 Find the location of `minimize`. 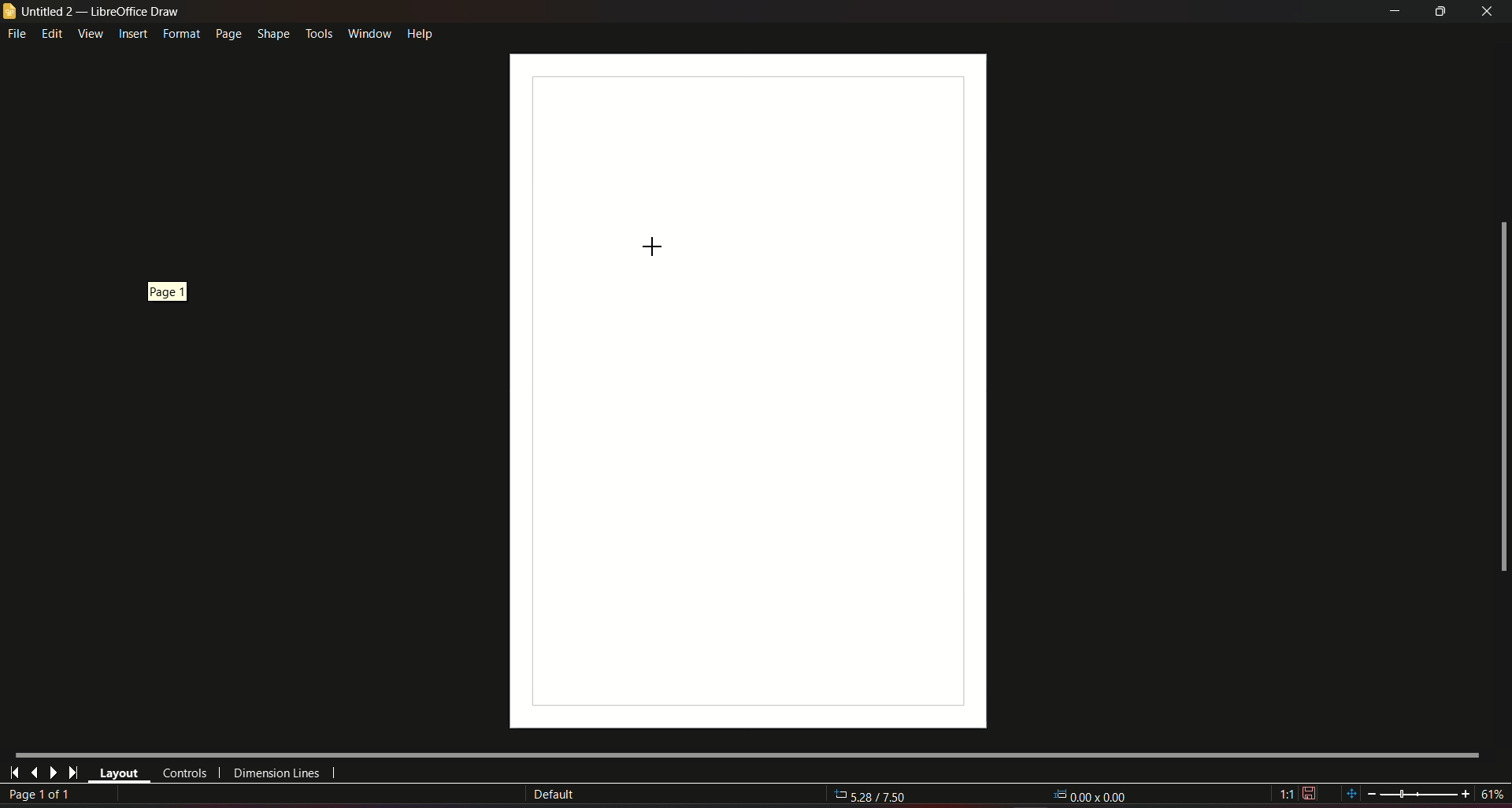

minimize is located at coordinates (1392, 12).